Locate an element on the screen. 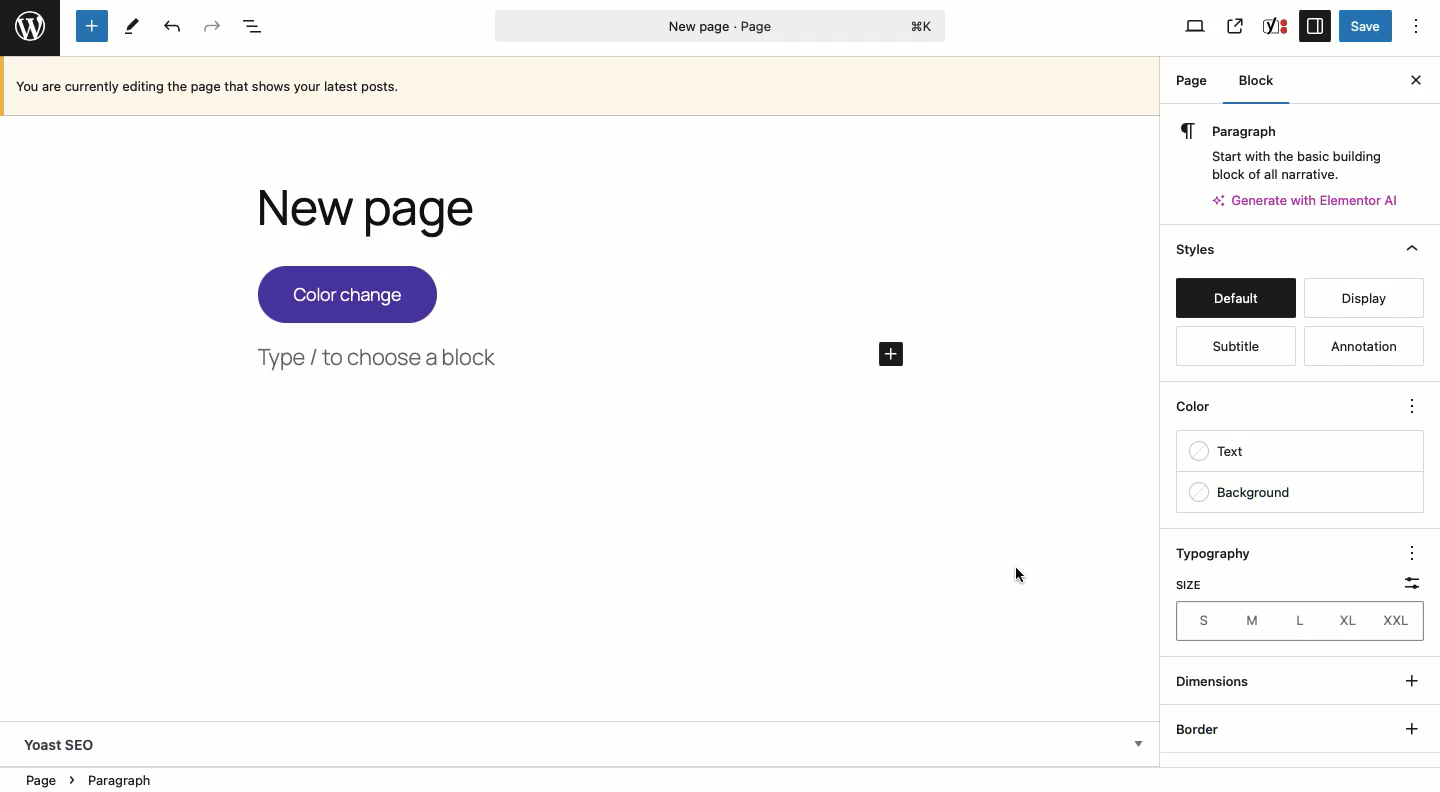 The width and height of the screenshot is (1440, 792). subtle is located at coordinates (1239, 345).